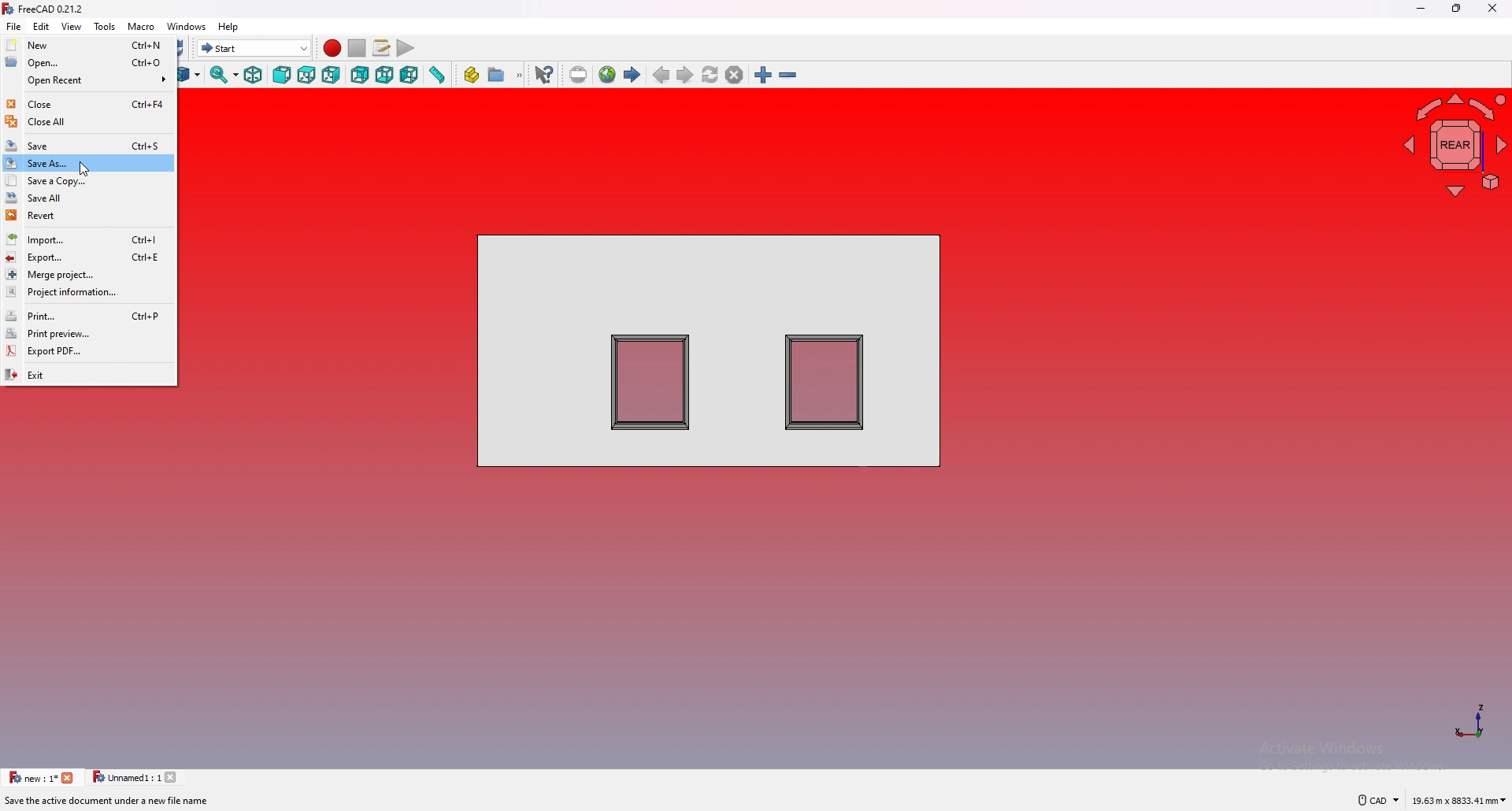  Describe the element at coordinates (1377, 799) in the screenshot. I see `cad navigation` at that location.